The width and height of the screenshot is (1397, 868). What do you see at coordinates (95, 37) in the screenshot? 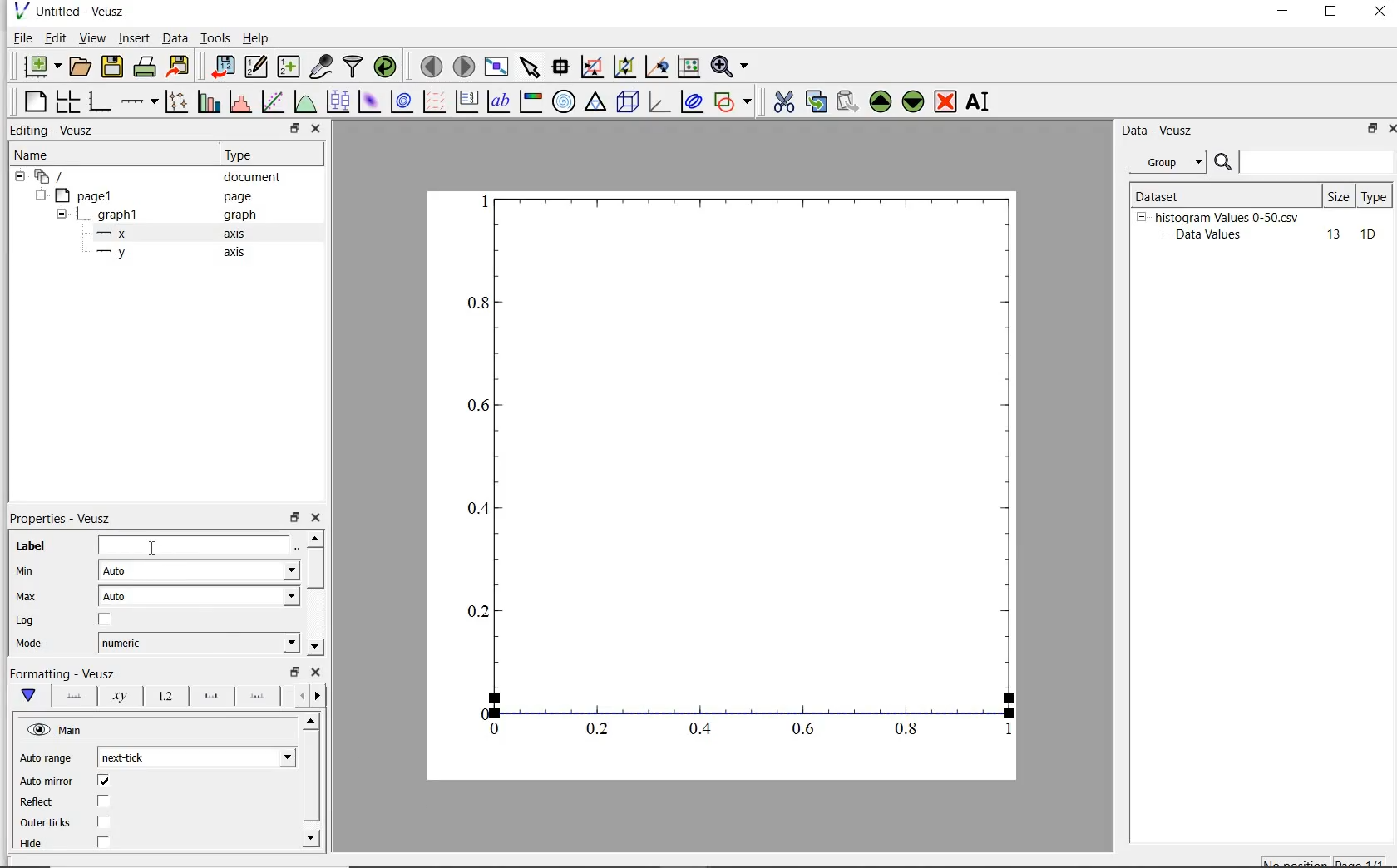
I see `view` at bounding box center [95, 37].